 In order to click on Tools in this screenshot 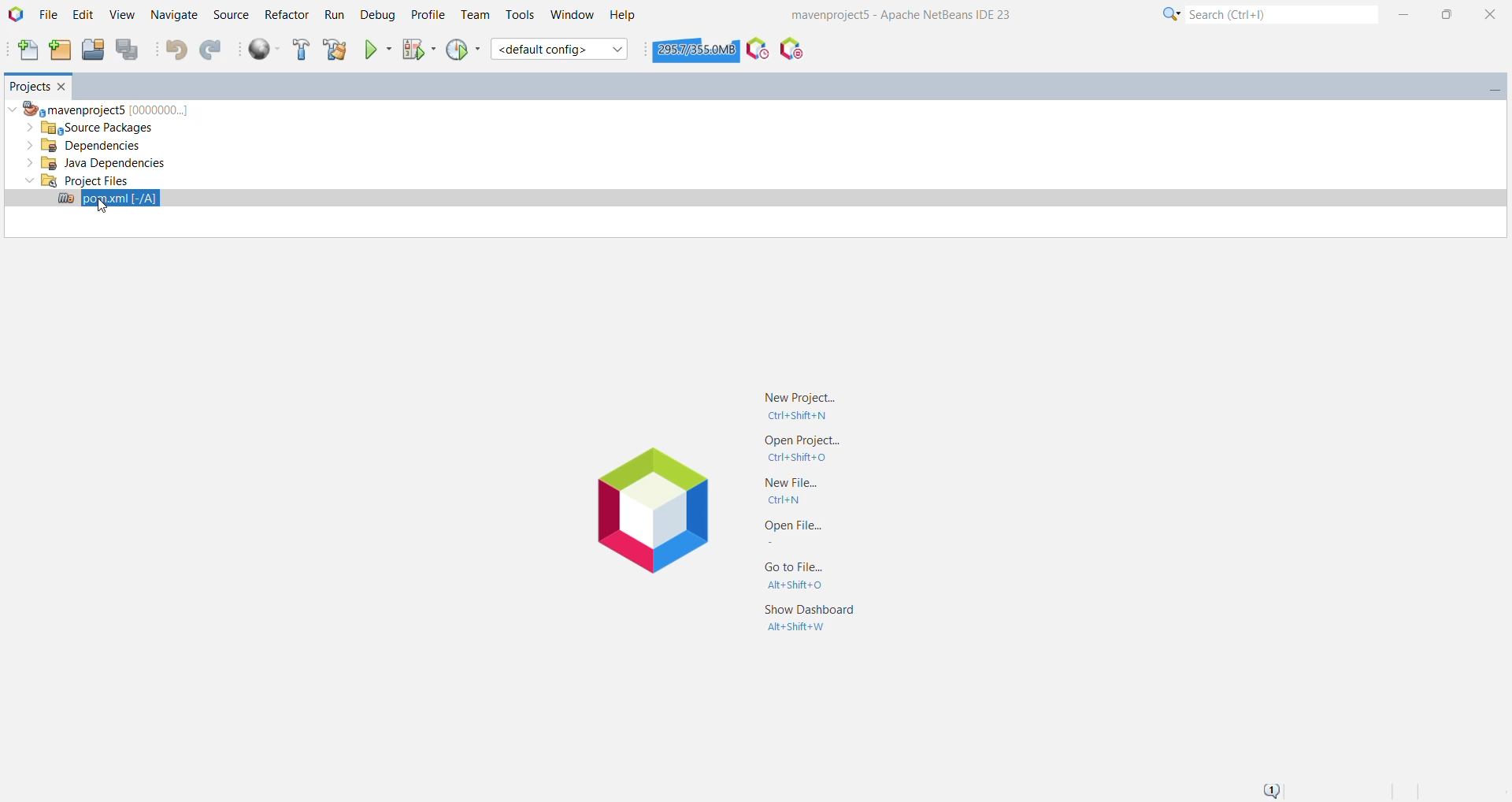, I will do `click(521, 15)`.